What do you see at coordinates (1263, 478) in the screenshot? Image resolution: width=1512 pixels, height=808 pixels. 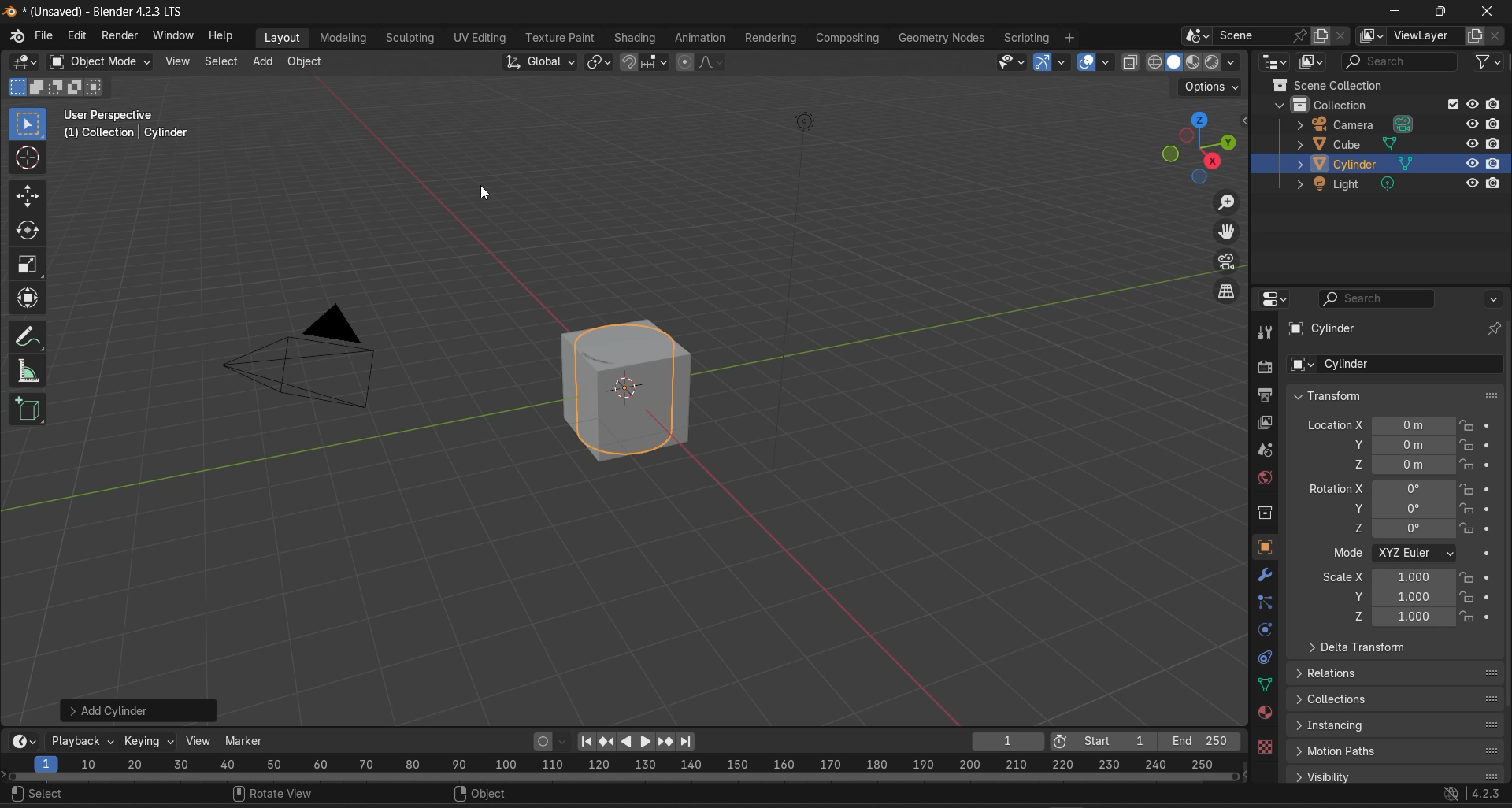 I see `world` at bounding box center [1263, 478].